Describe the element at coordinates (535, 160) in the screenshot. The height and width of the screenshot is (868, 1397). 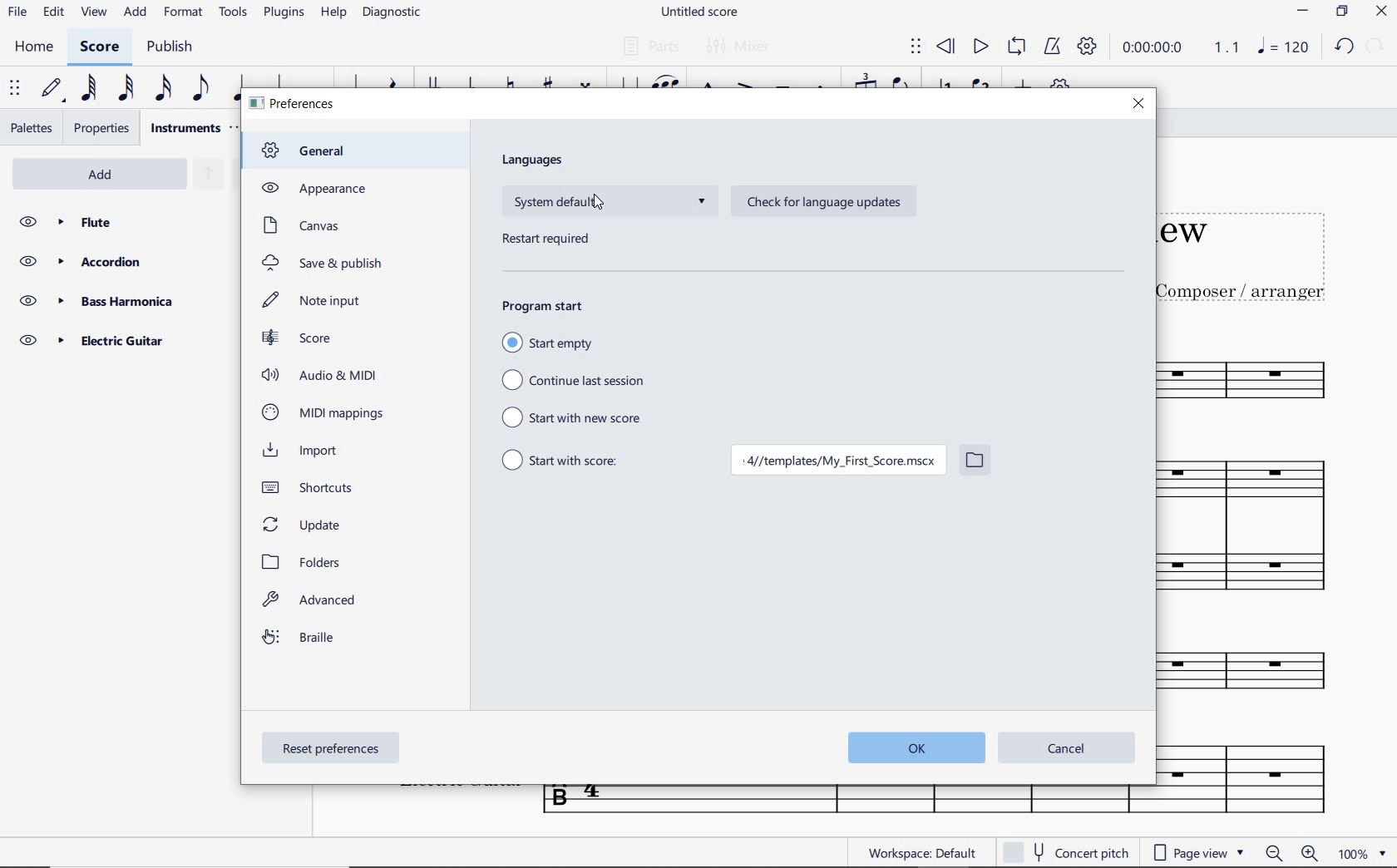
I see `languages` at that location.